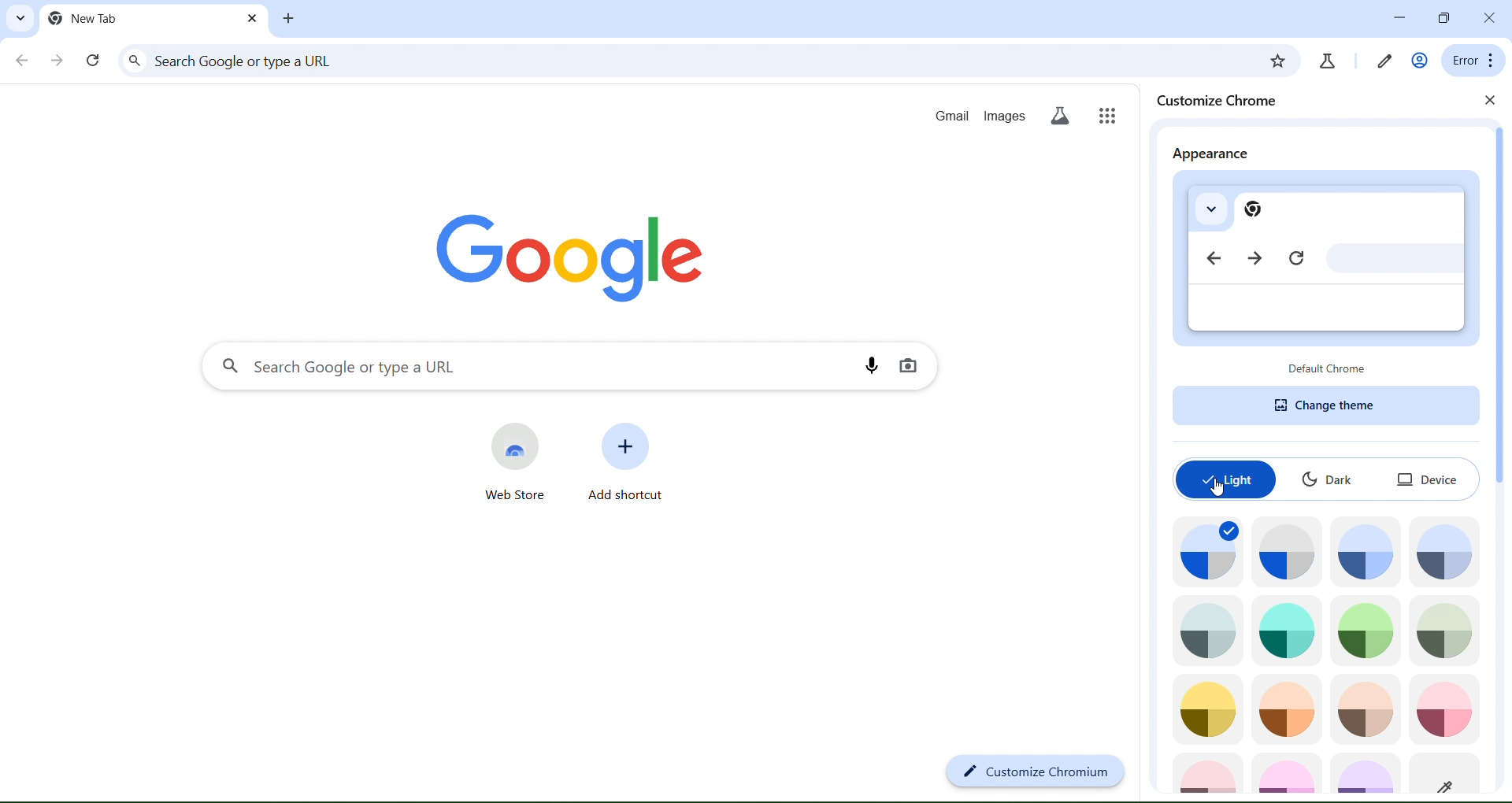 The image size is (1512, 803). I want to click on close, so click(1492, 102).